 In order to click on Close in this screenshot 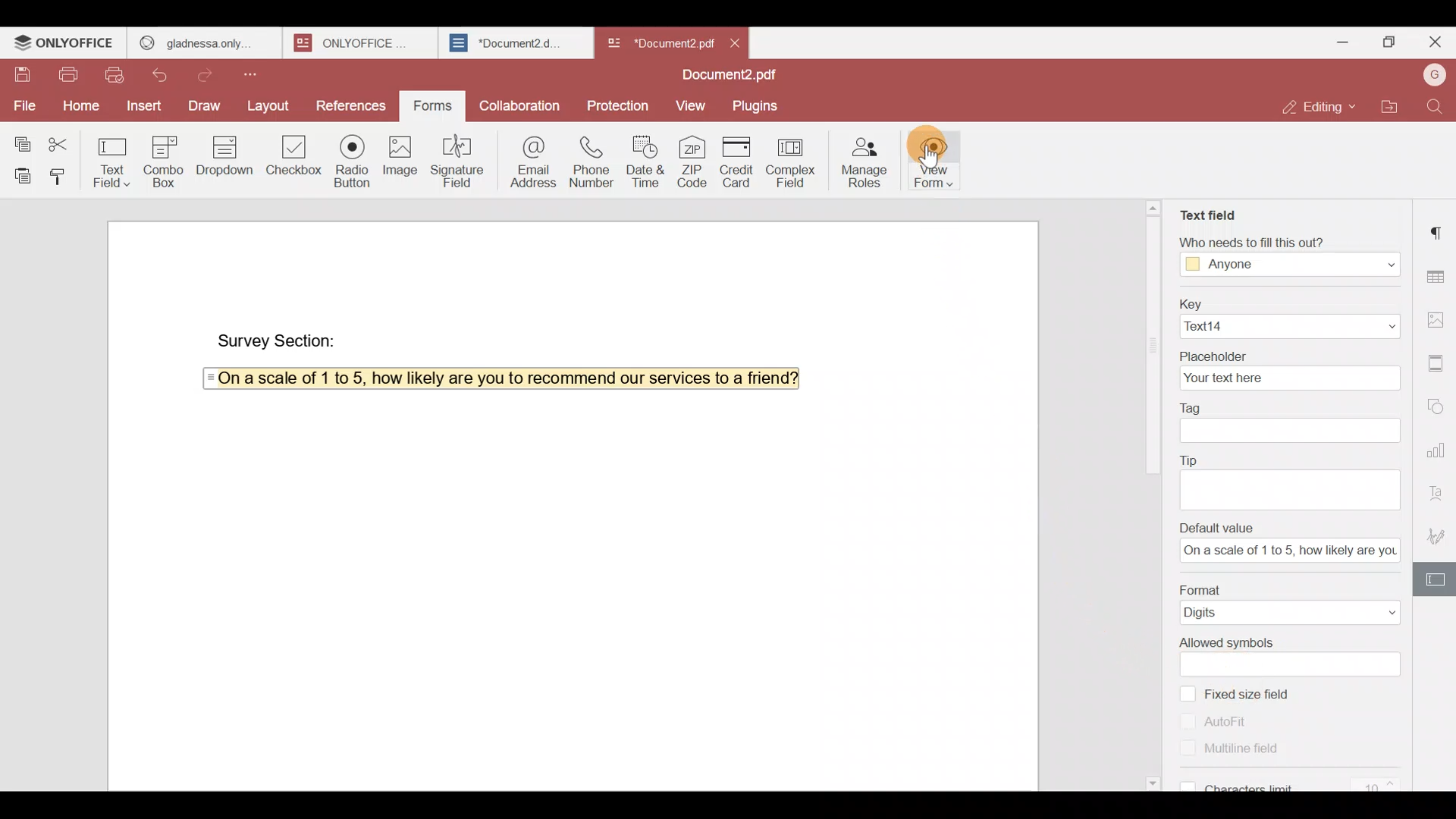, I will do `click(1434, 45)`.